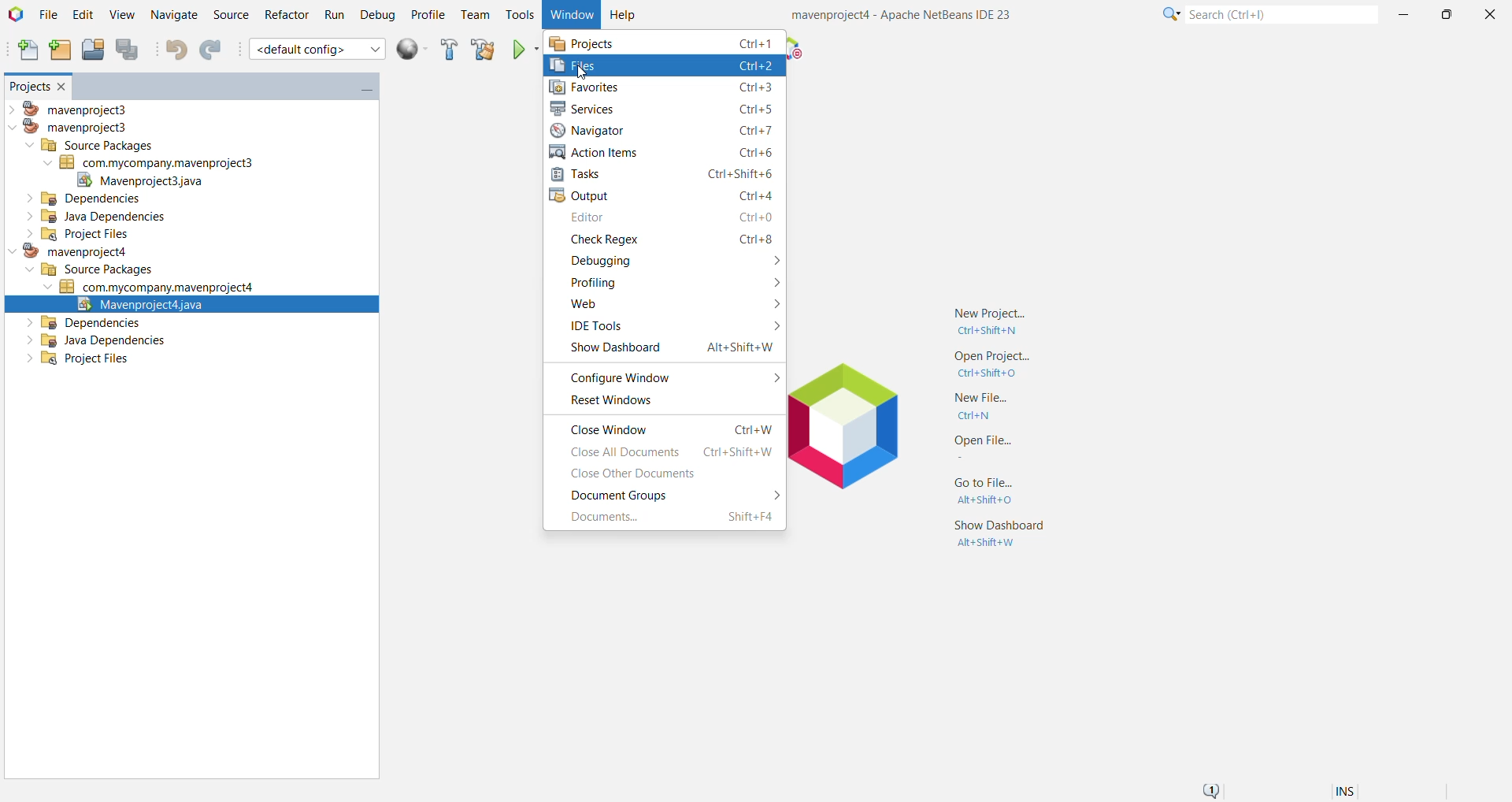 Image resolution: width=1512 pixels, height=802 pixels. I want to click on Undo, so click(176, 48).